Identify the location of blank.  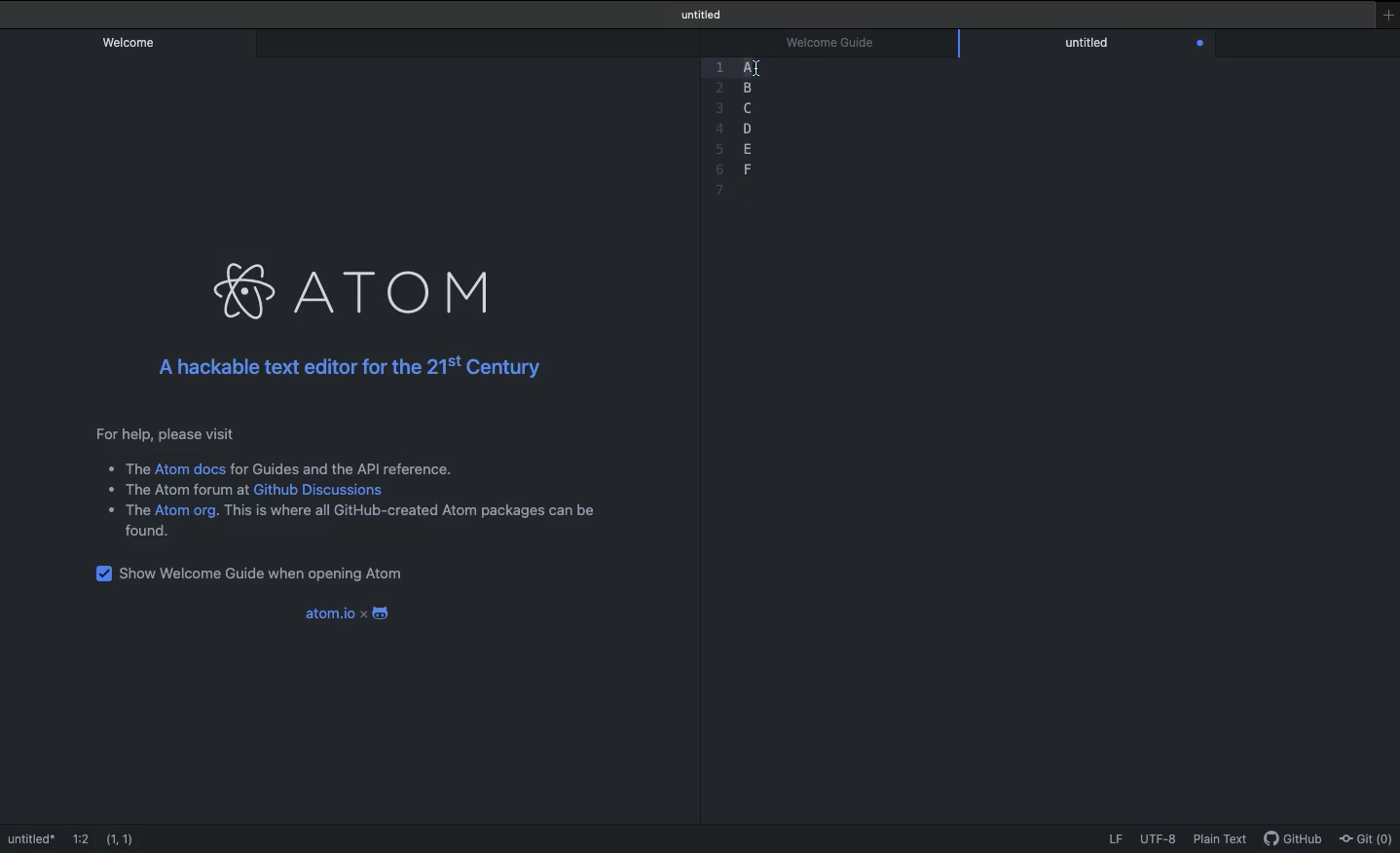
(754, 187).